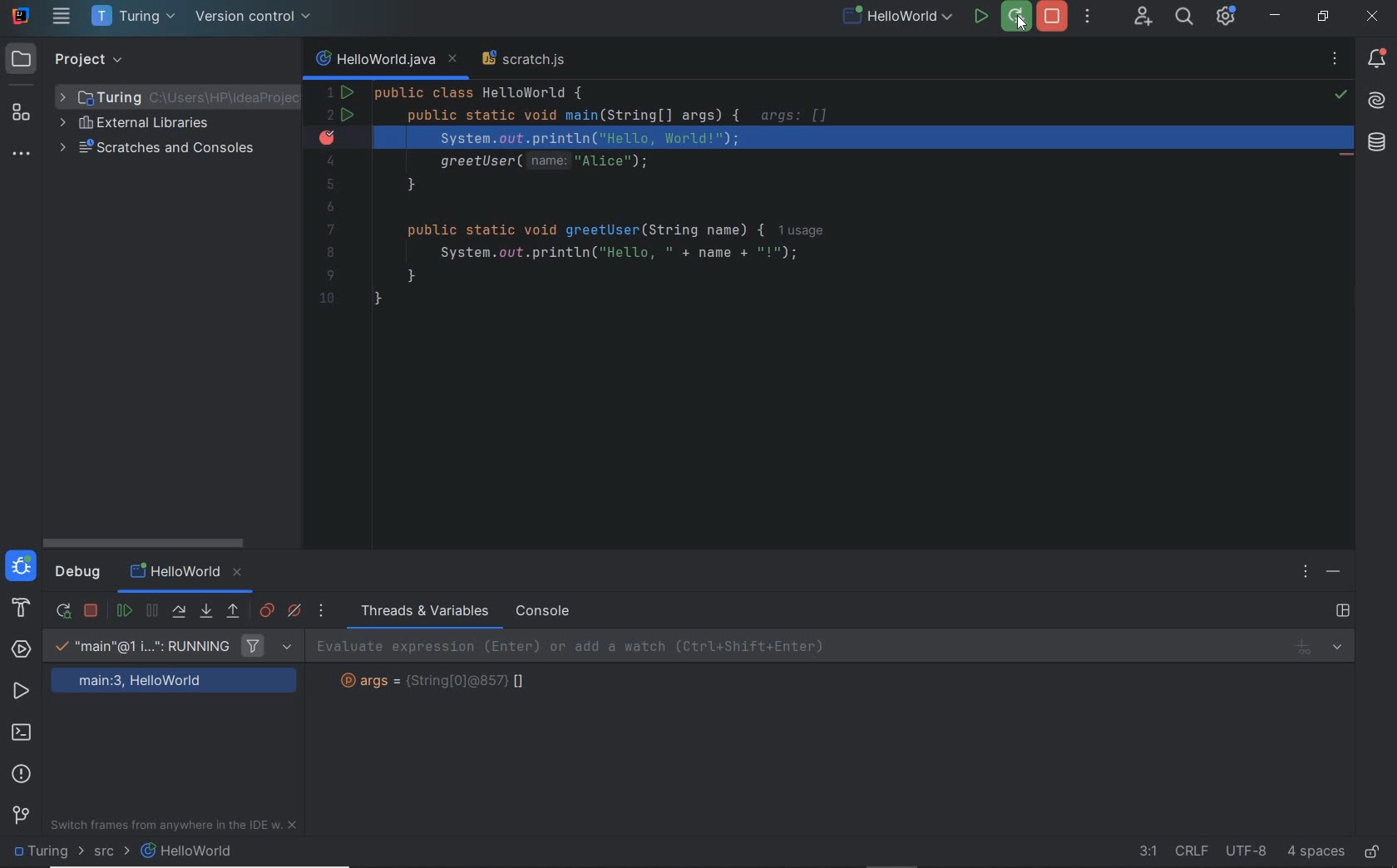  Describe the element at coordinates (133, 18) in the screenshot. I see `project name` at that location.